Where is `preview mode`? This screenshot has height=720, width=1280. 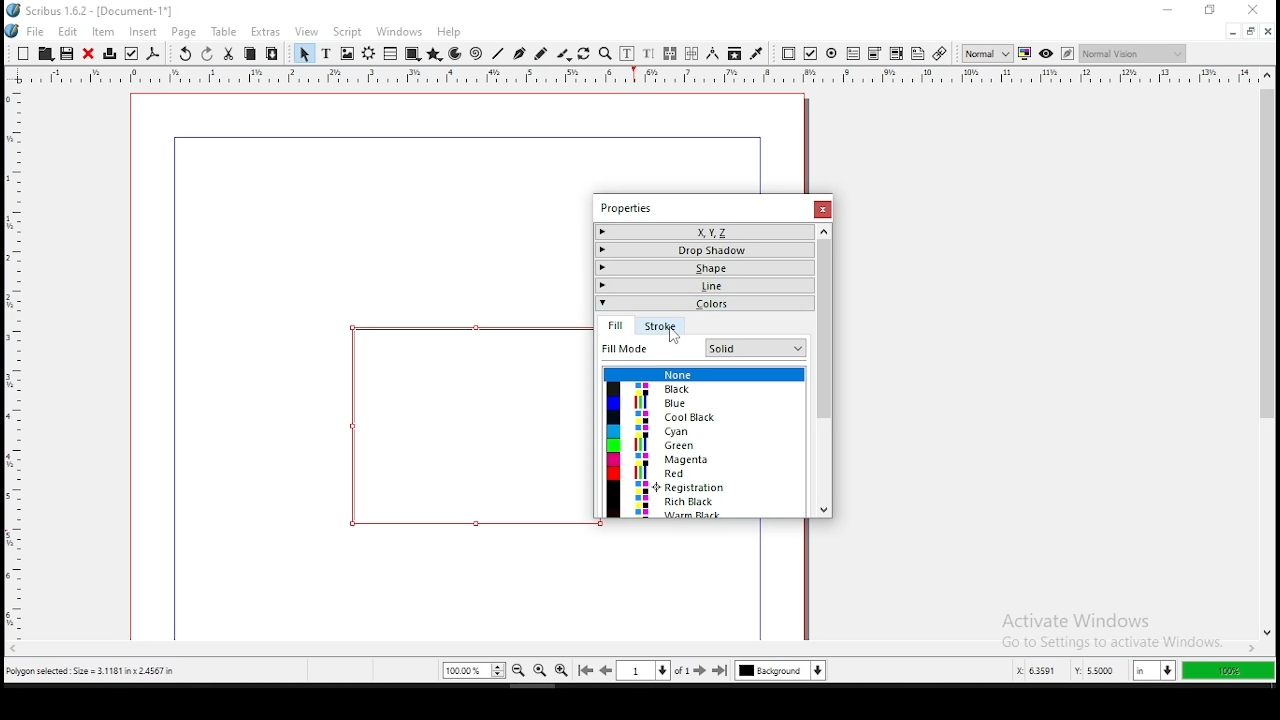
preview mode is located at coordinates (1044, 53).